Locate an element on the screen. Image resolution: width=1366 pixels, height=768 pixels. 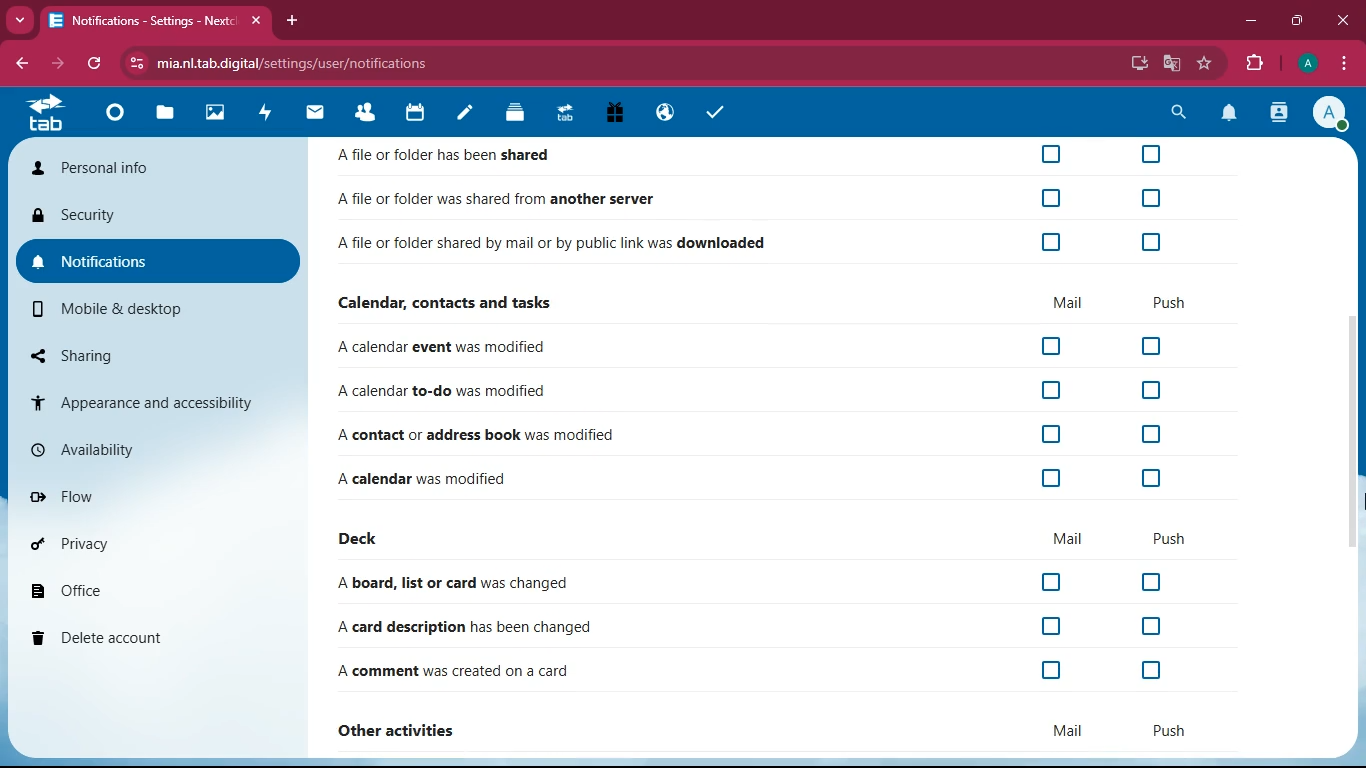
Upgrade is located at coordinates (566, 115).